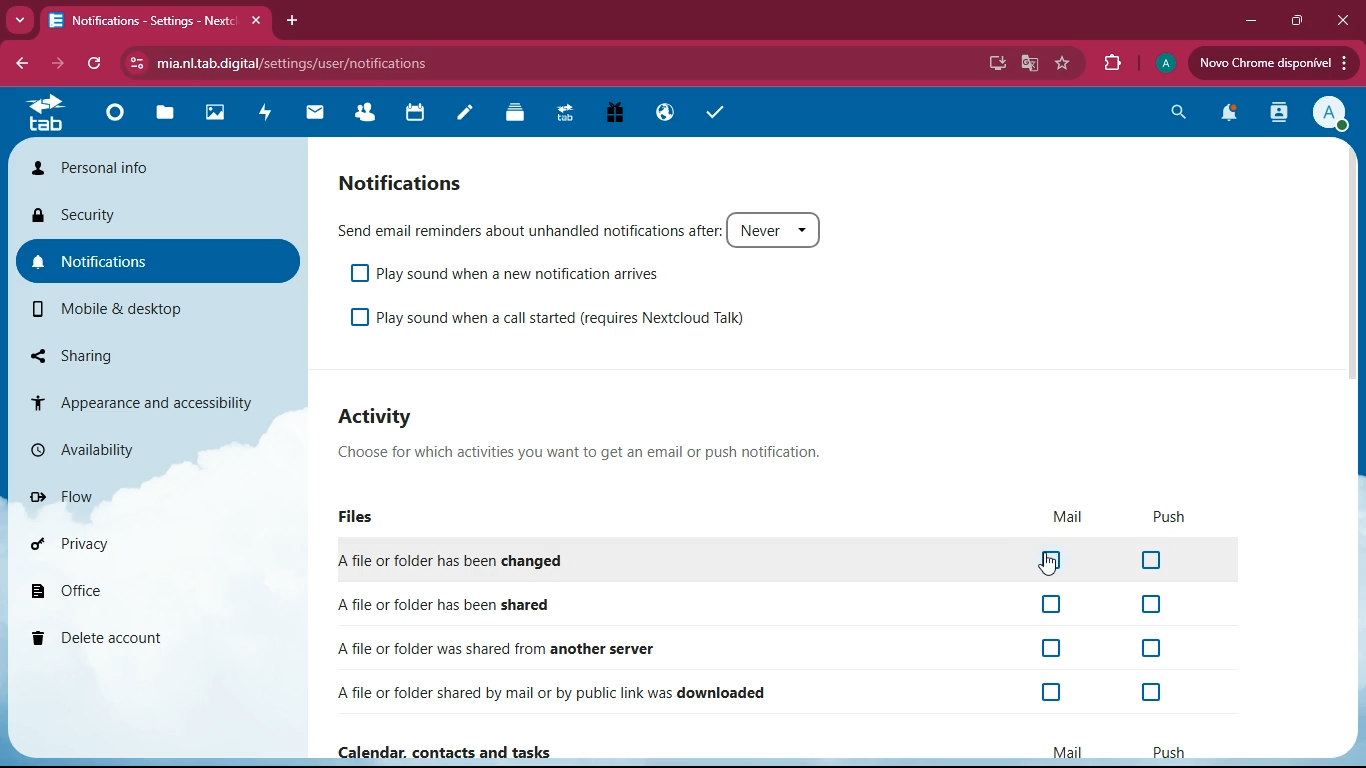 This screenshot has width=1366, height=768. Describe the element at coordinates (362, 519) in the screenshot. I see `files` at that location.